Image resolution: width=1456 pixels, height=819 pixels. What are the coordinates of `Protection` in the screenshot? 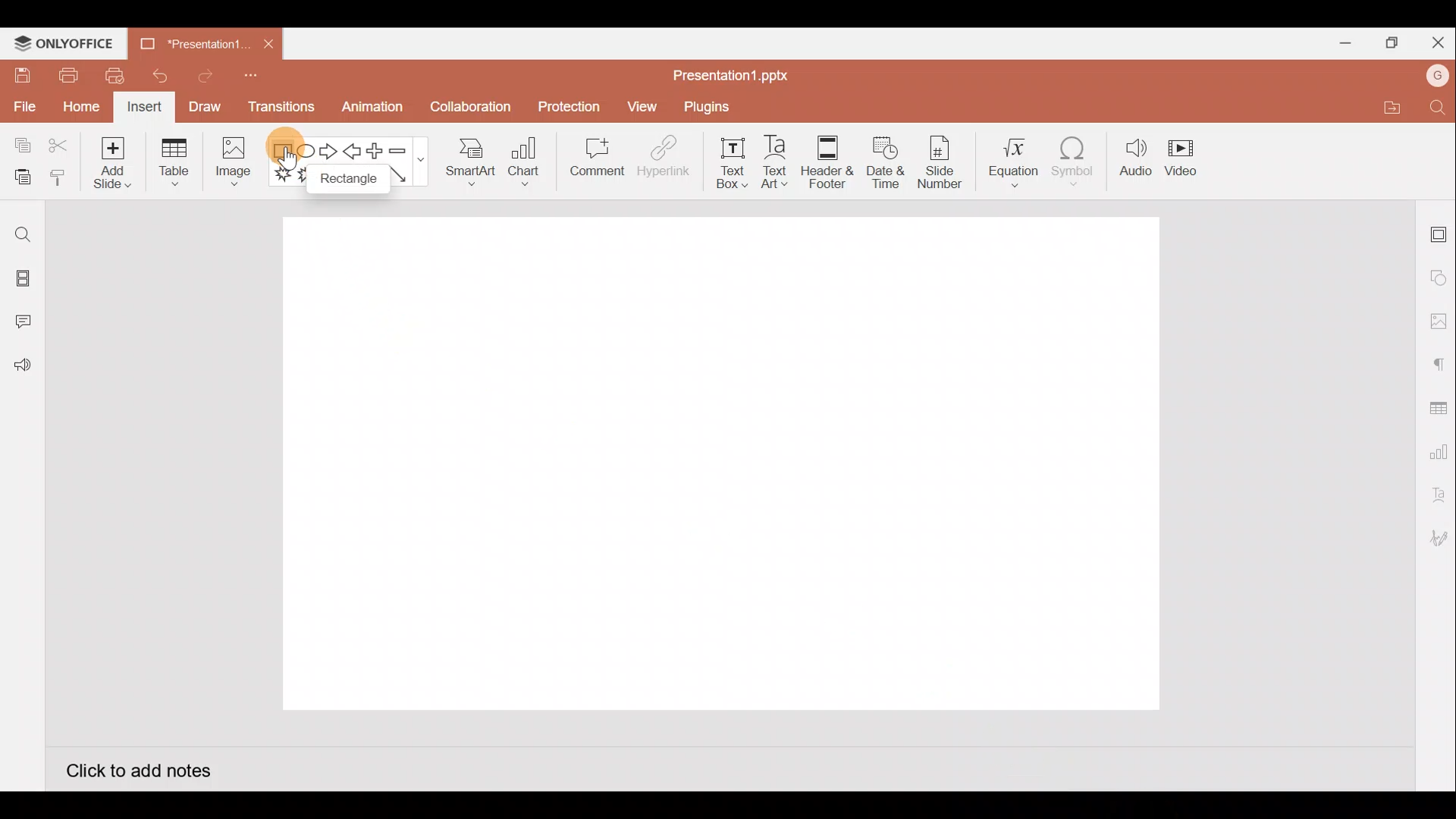 It's located at (565, 107).